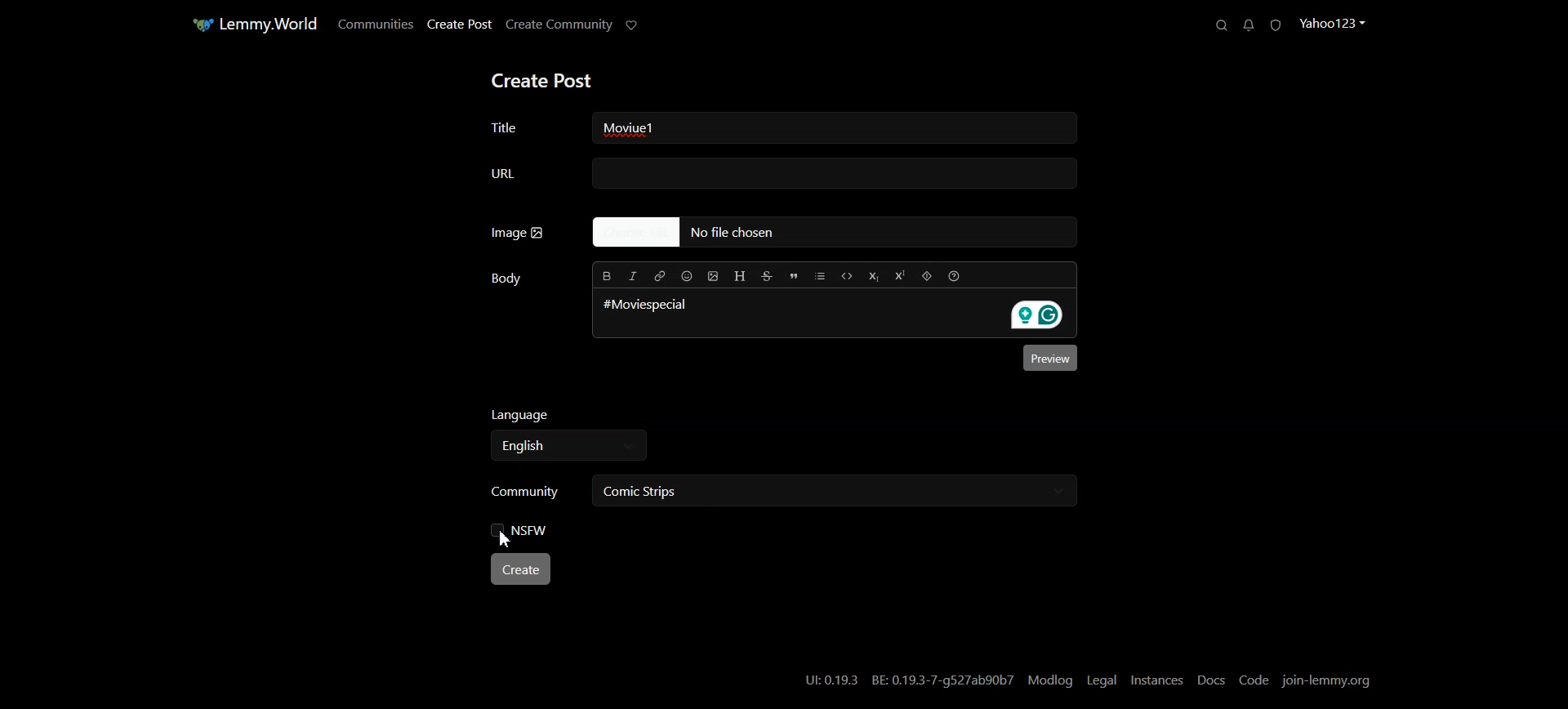 Image resolution: width=1568 pixels, height=709 pixels. Describe the element at coordinates (780, 174) in the screenshot. I see `URL` at that location.